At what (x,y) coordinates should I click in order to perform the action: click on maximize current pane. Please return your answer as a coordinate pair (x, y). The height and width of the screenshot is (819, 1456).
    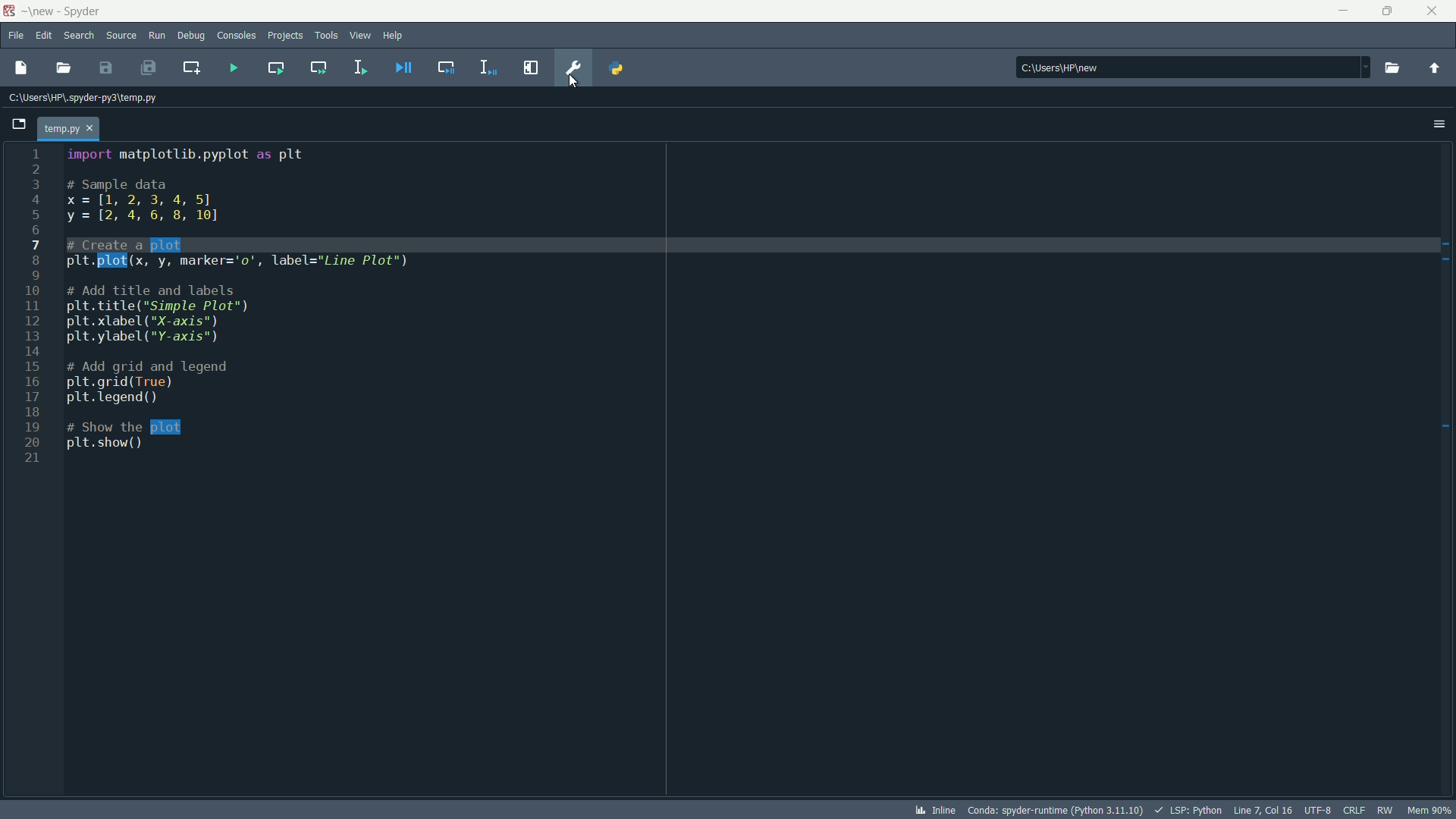
    Looking at the image, I should click on (533, 67).